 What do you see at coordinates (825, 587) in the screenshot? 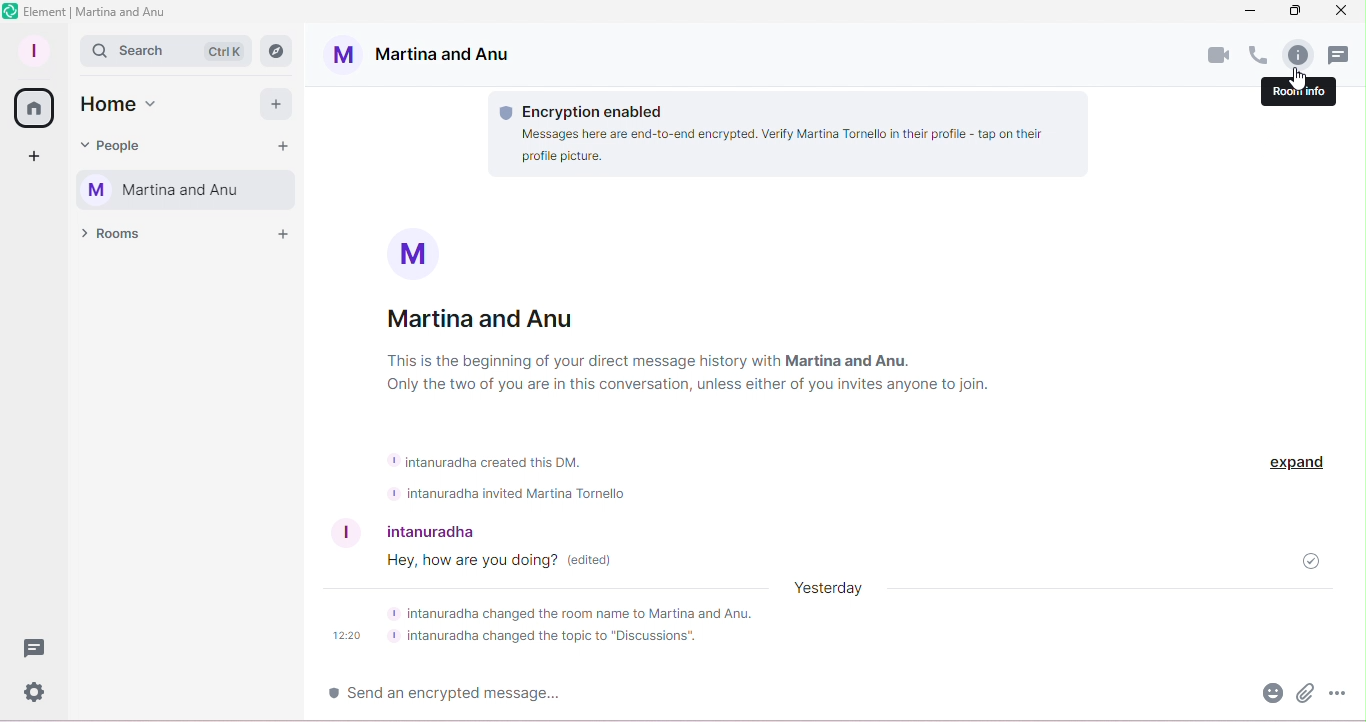
I see `yesterday` at bounding box center [825, 587].